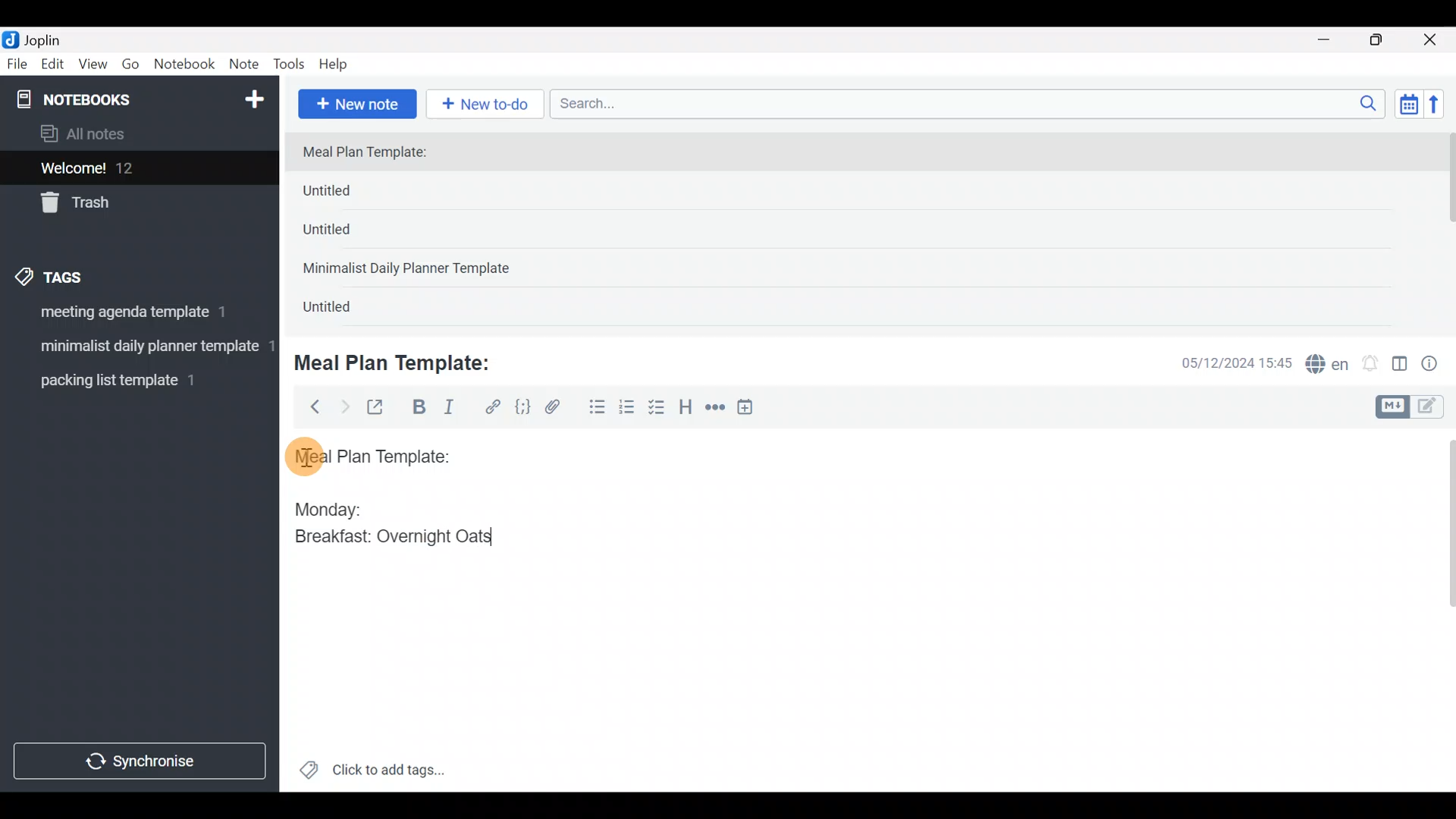 The width and height of the screenshot is (1456, 819). I want to click on Welcome!, so click(137, 169).